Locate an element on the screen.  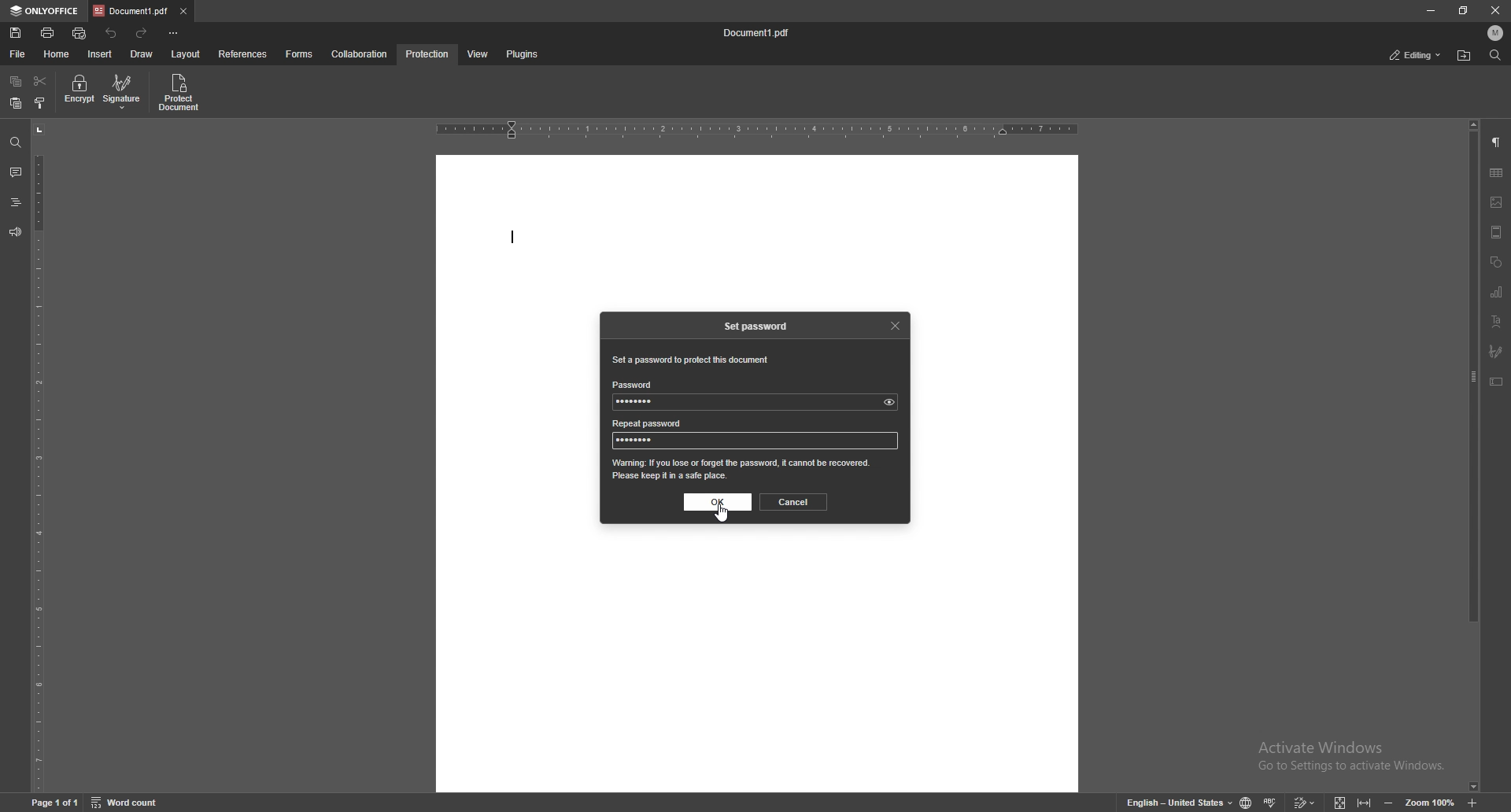
encrypt is located at coordinates (79, 92).